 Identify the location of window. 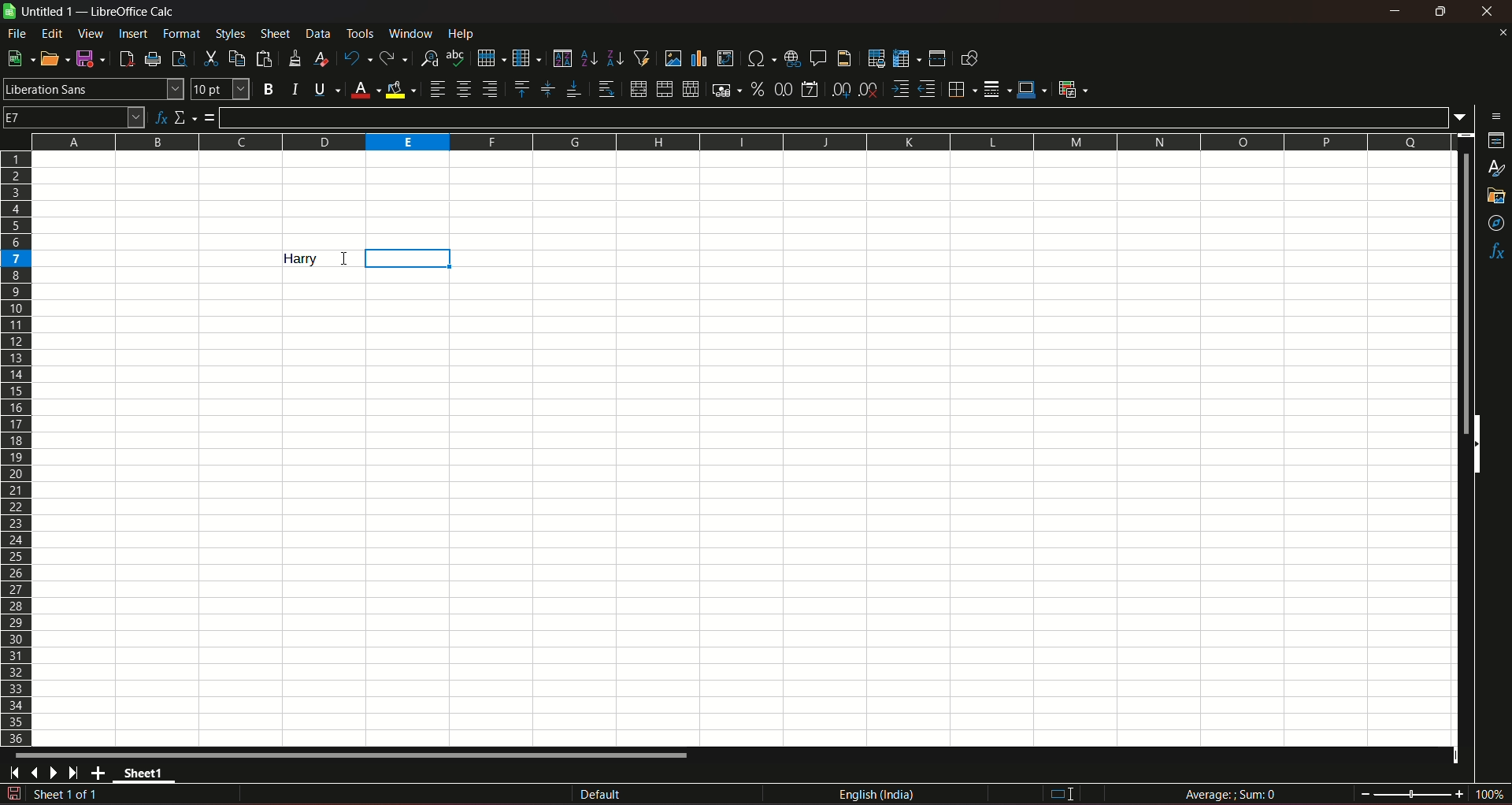
(413, 34).